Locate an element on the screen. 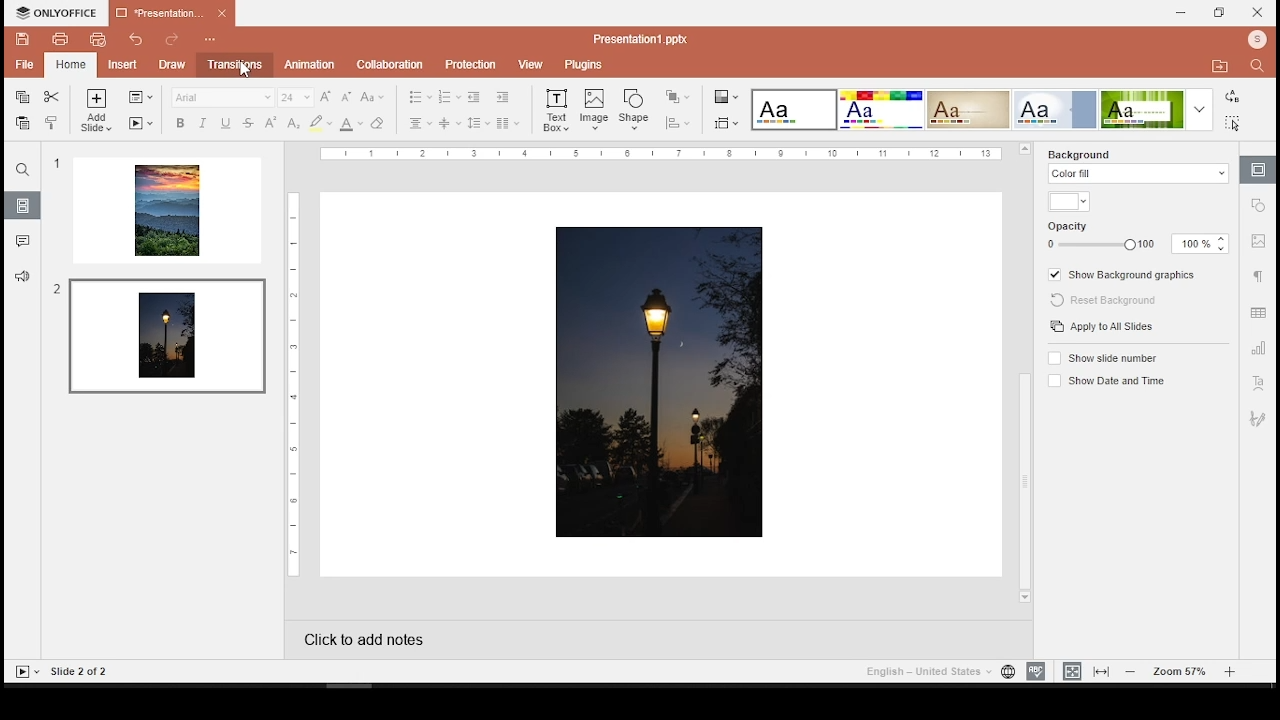 The height and width of the screenshot is (720, 1280). font color is located at coordinates (351, 124).